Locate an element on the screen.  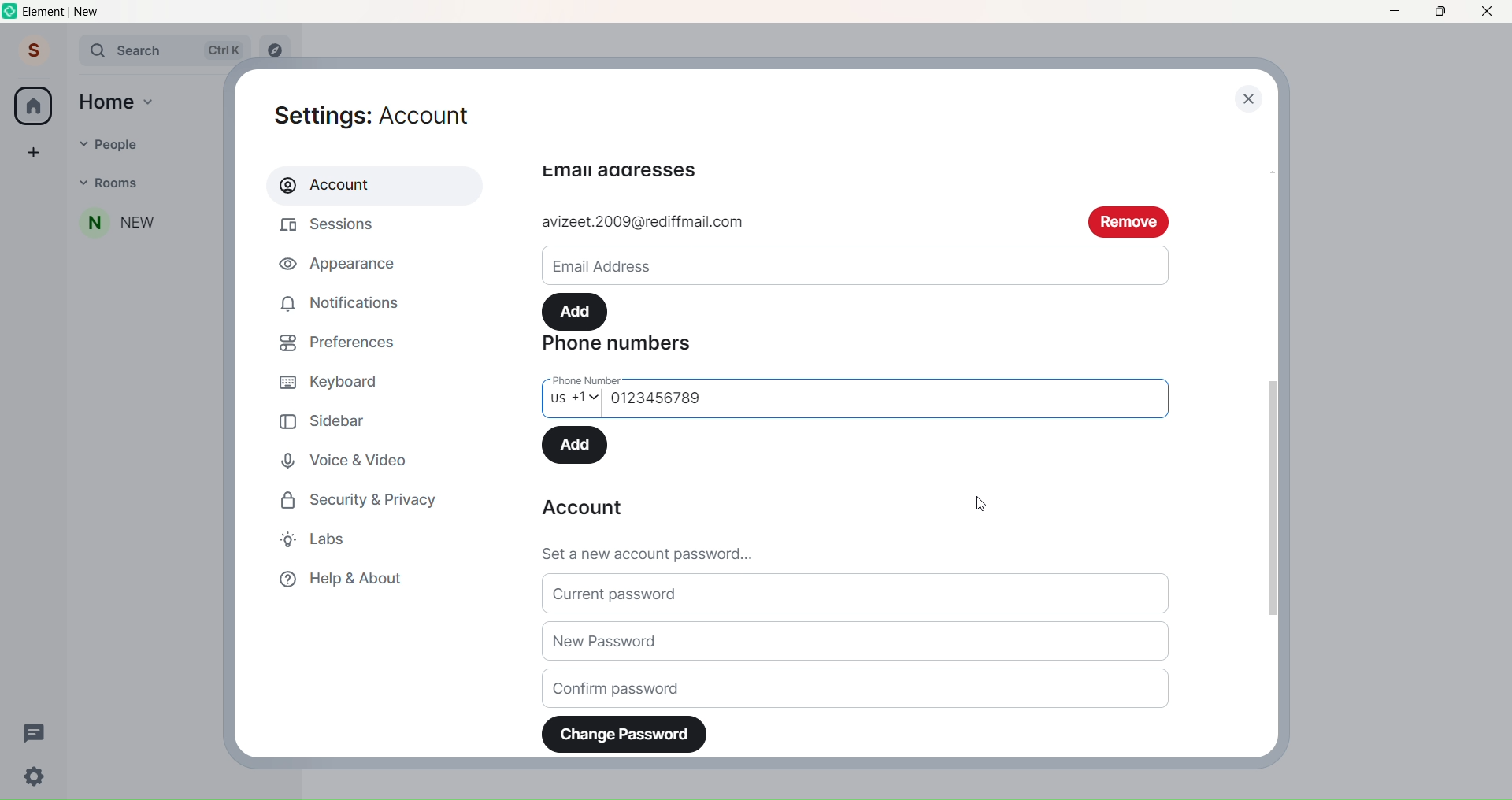
Preferences is located at coordinates (344, 341).